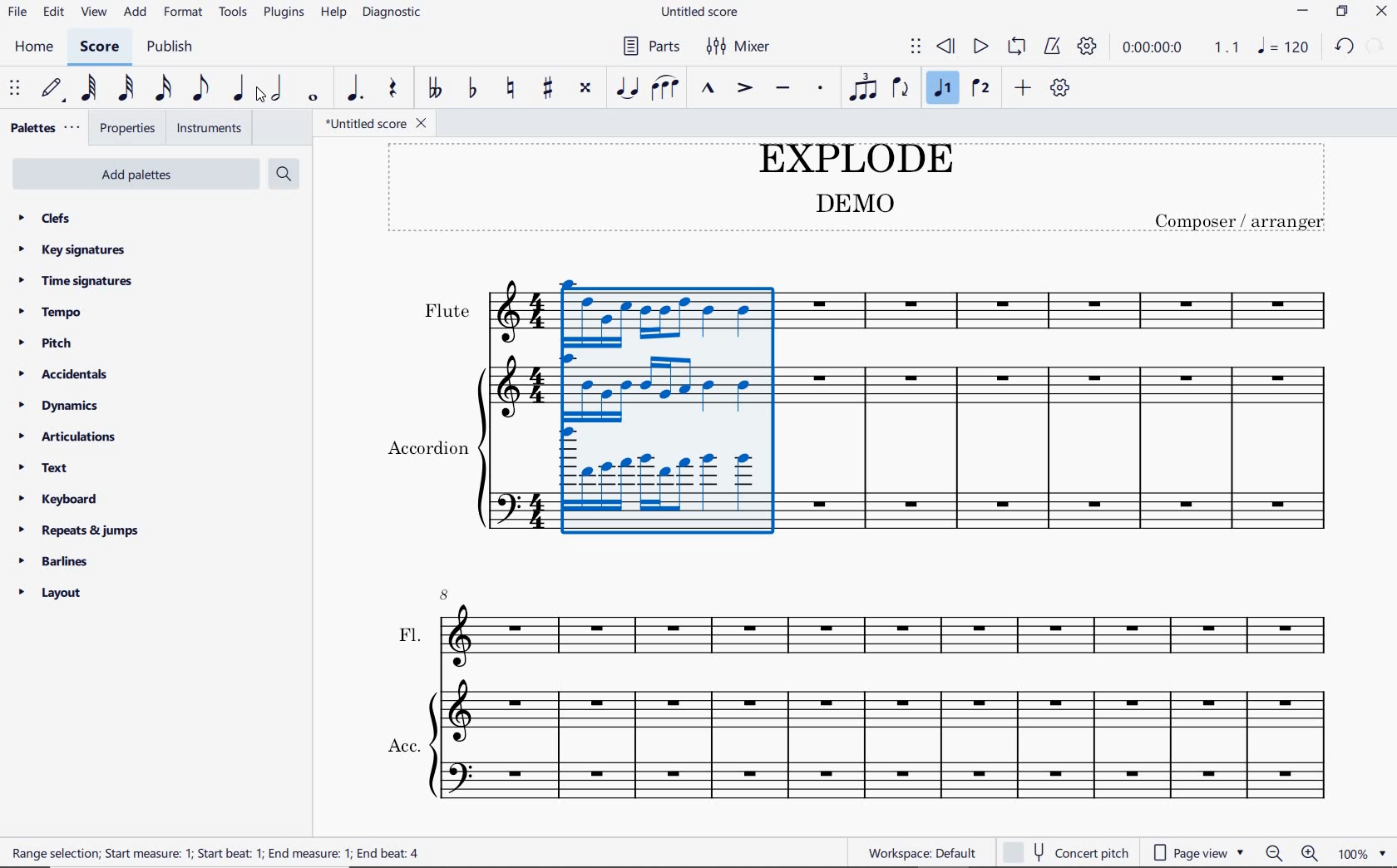  Describe the element at coordinates (133, 175) in the screenshot. I see `add palettes` at that location.